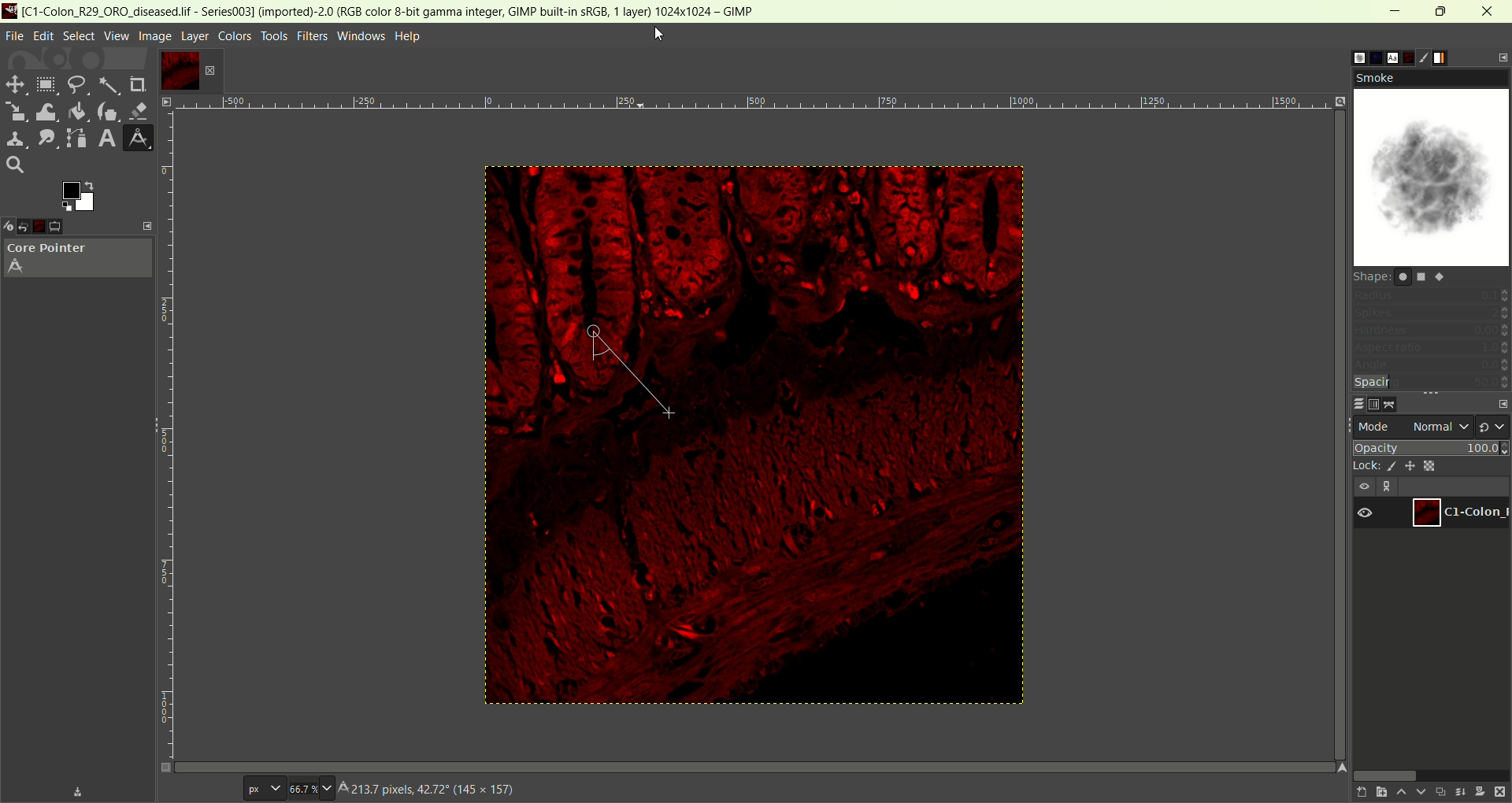  Describe the element at coordinates (15, 37) in the screenshot. I see `file` at that location.